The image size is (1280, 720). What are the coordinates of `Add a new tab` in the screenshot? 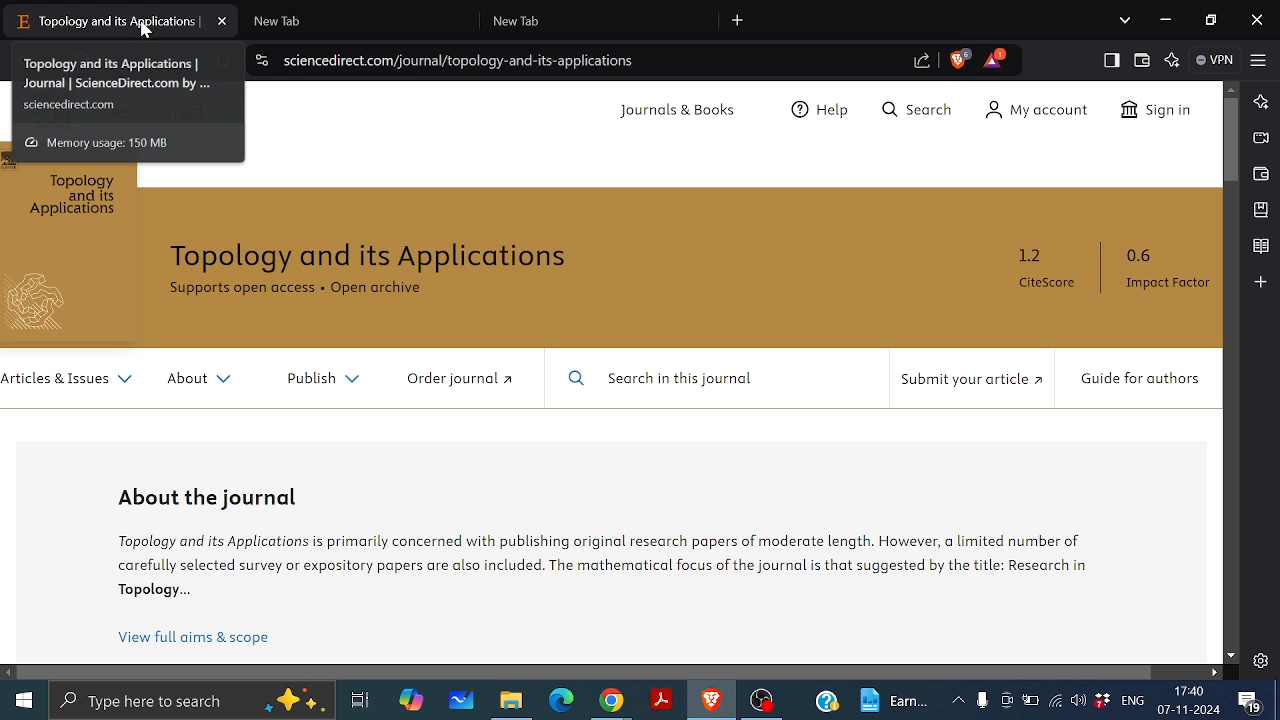 It's located at (739, 20).